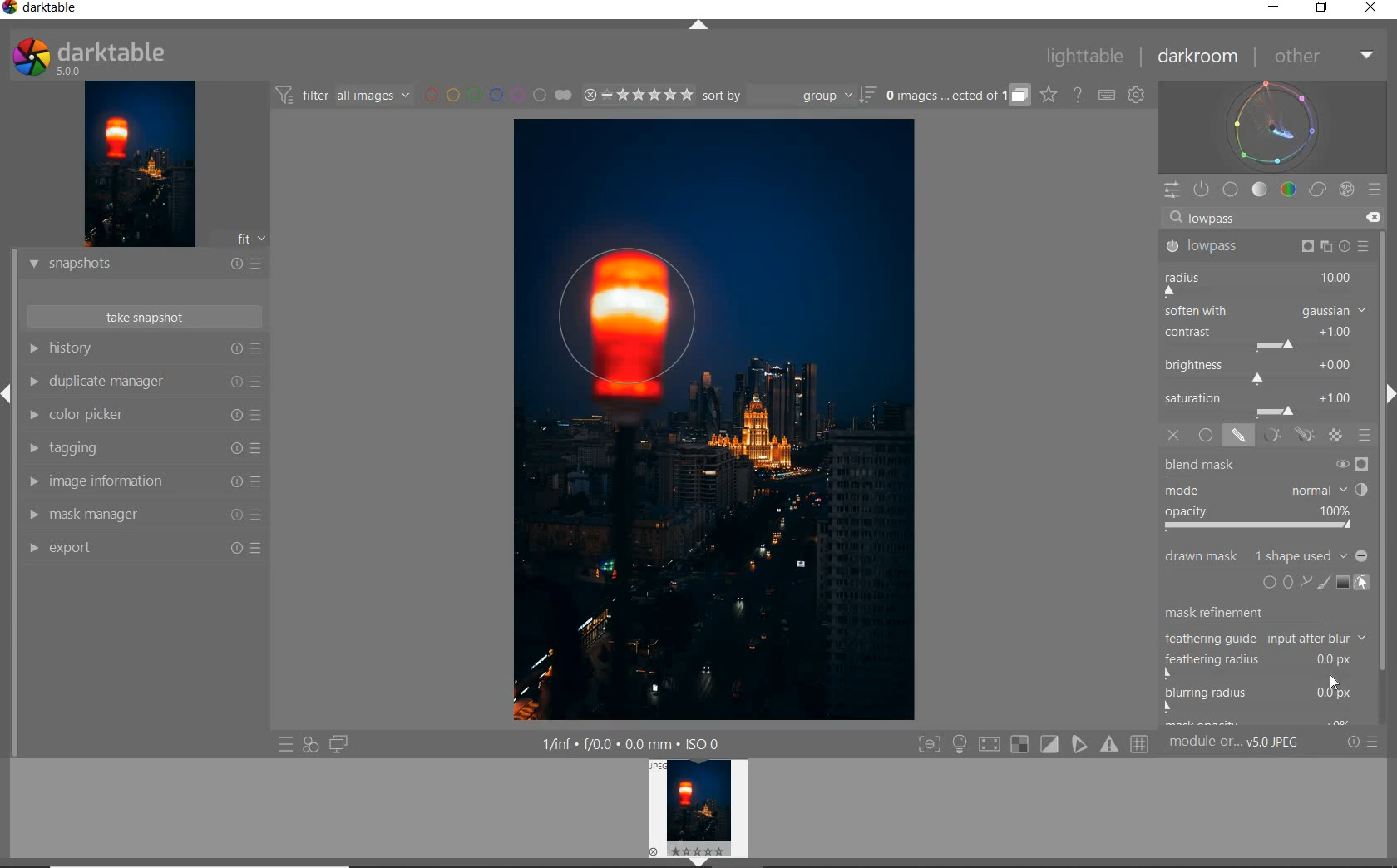 The image size is (1397, 868). I want to click on EXPAND/COLLAPSE, so click(699, 25).